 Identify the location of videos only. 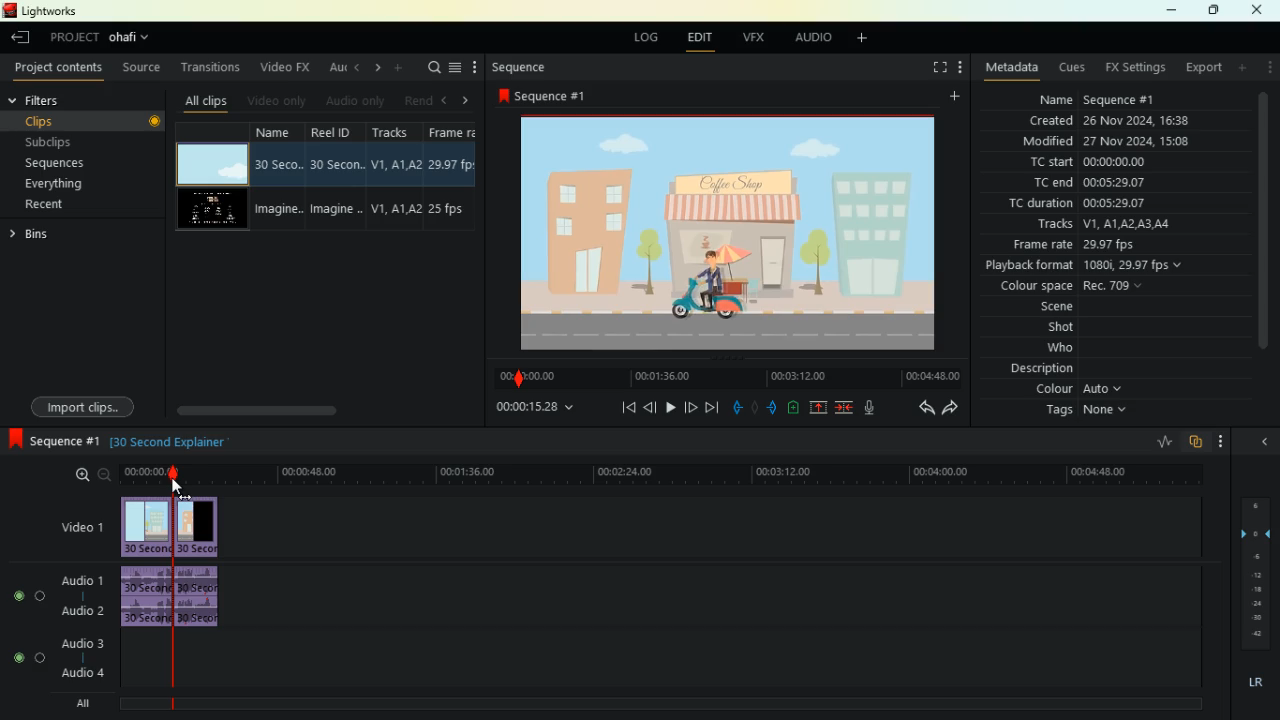
(279, 102).